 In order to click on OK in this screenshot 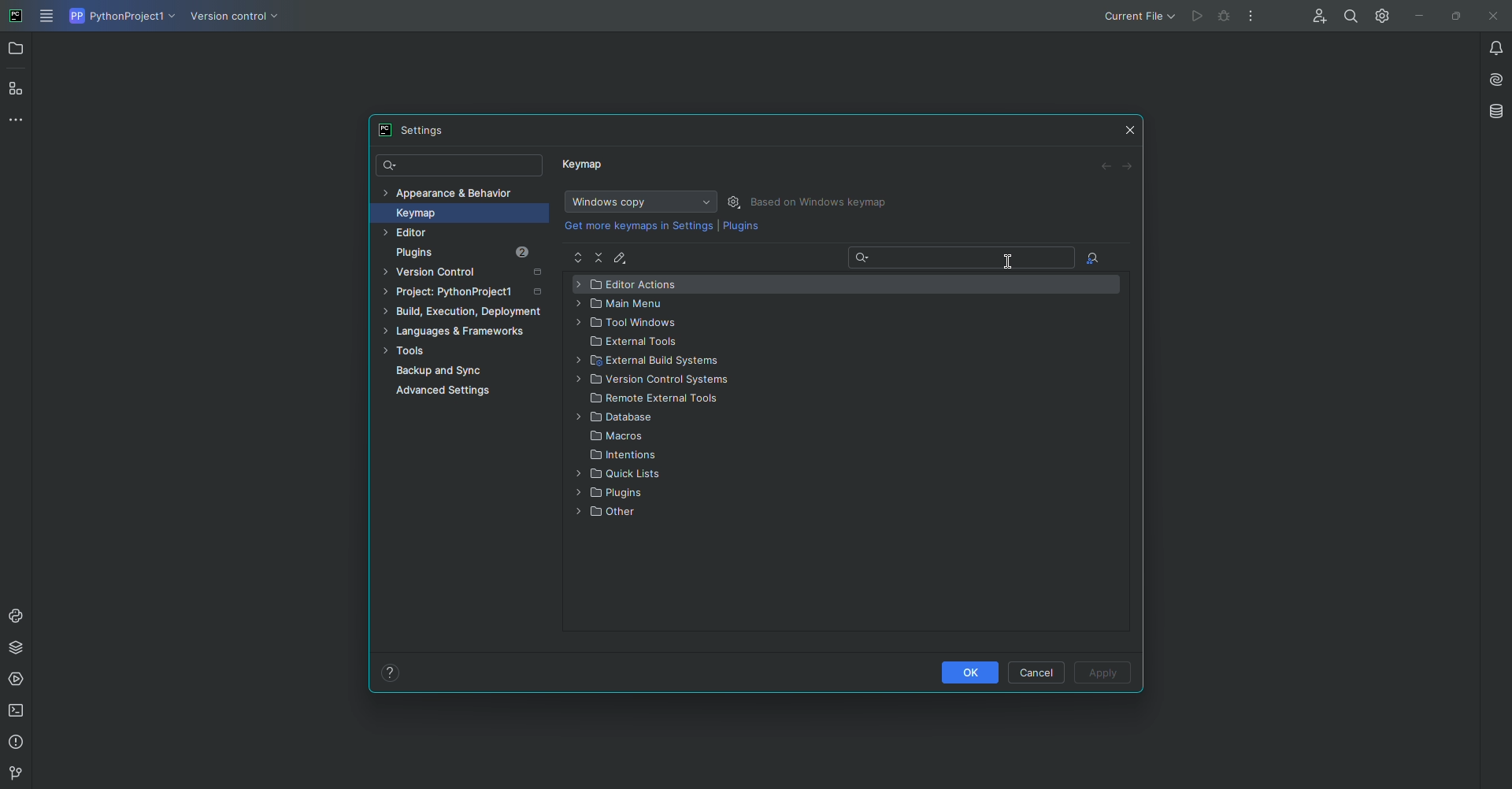, I will do `click(968, 672)`.